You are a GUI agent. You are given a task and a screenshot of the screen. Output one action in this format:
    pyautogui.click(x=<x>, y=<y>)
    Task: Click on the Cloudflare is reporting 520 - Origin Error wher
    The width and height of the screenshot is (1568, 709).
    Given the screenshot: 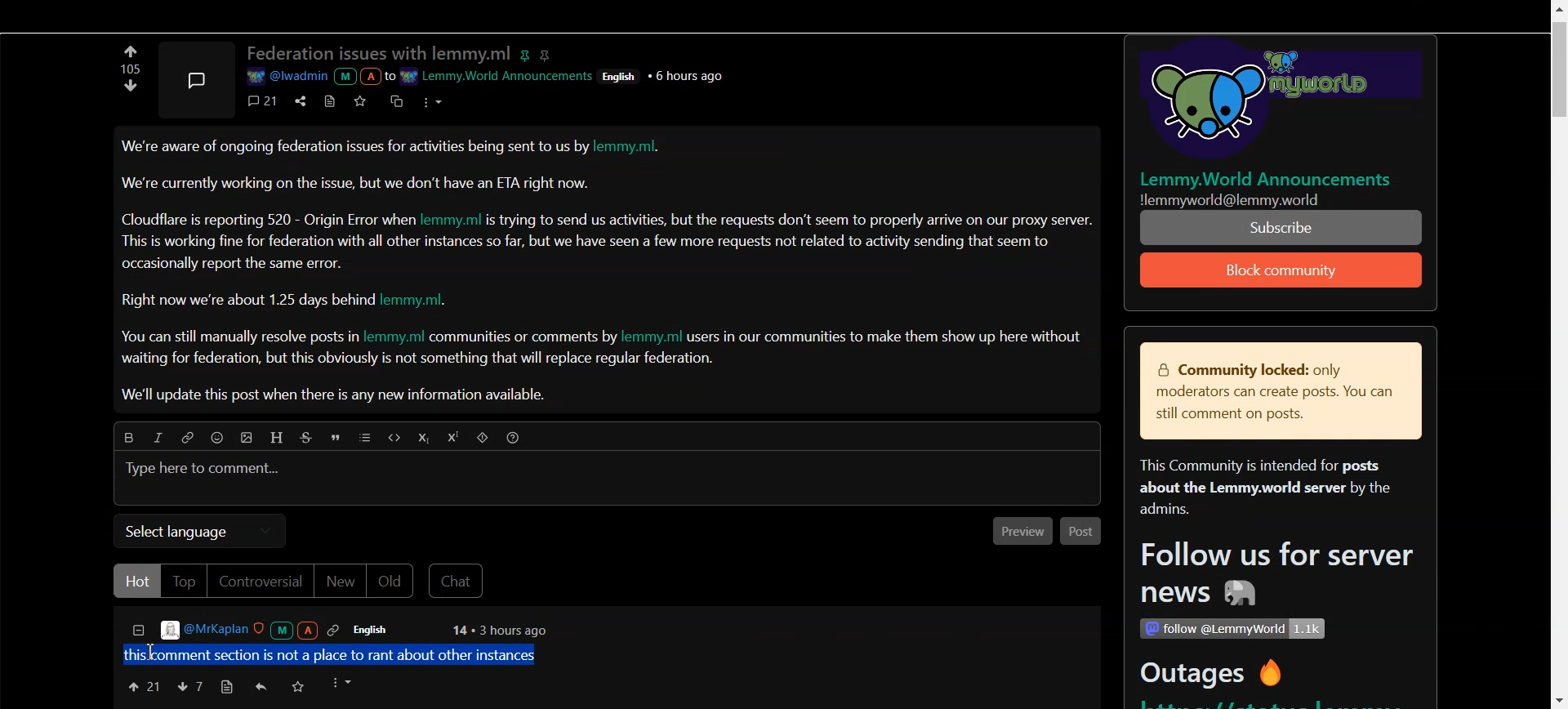 What is the action you would take?
    pyautogui.click(x=269, y=219)
    